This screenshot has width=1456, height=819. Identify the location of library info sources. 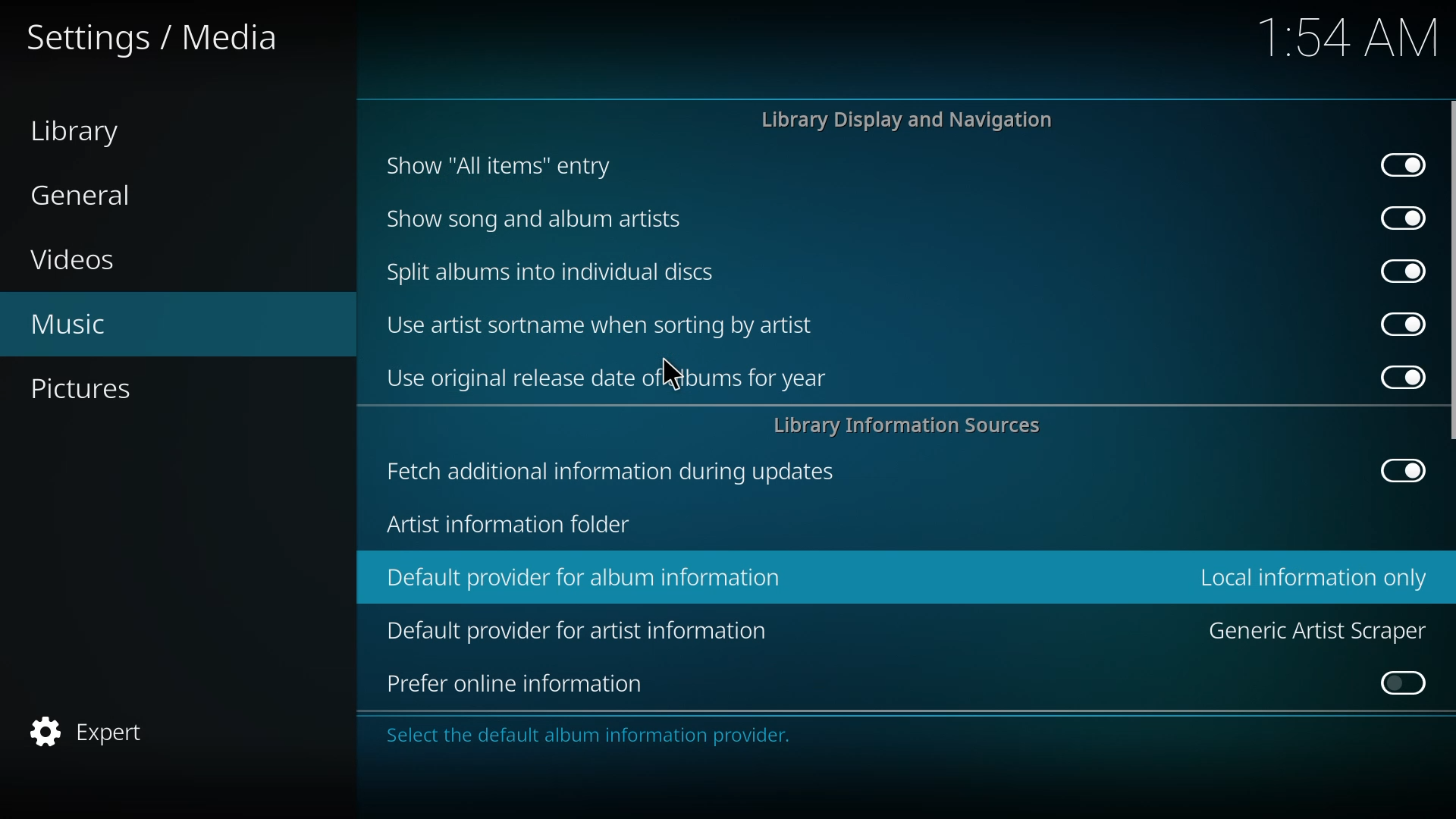
(912, 425).